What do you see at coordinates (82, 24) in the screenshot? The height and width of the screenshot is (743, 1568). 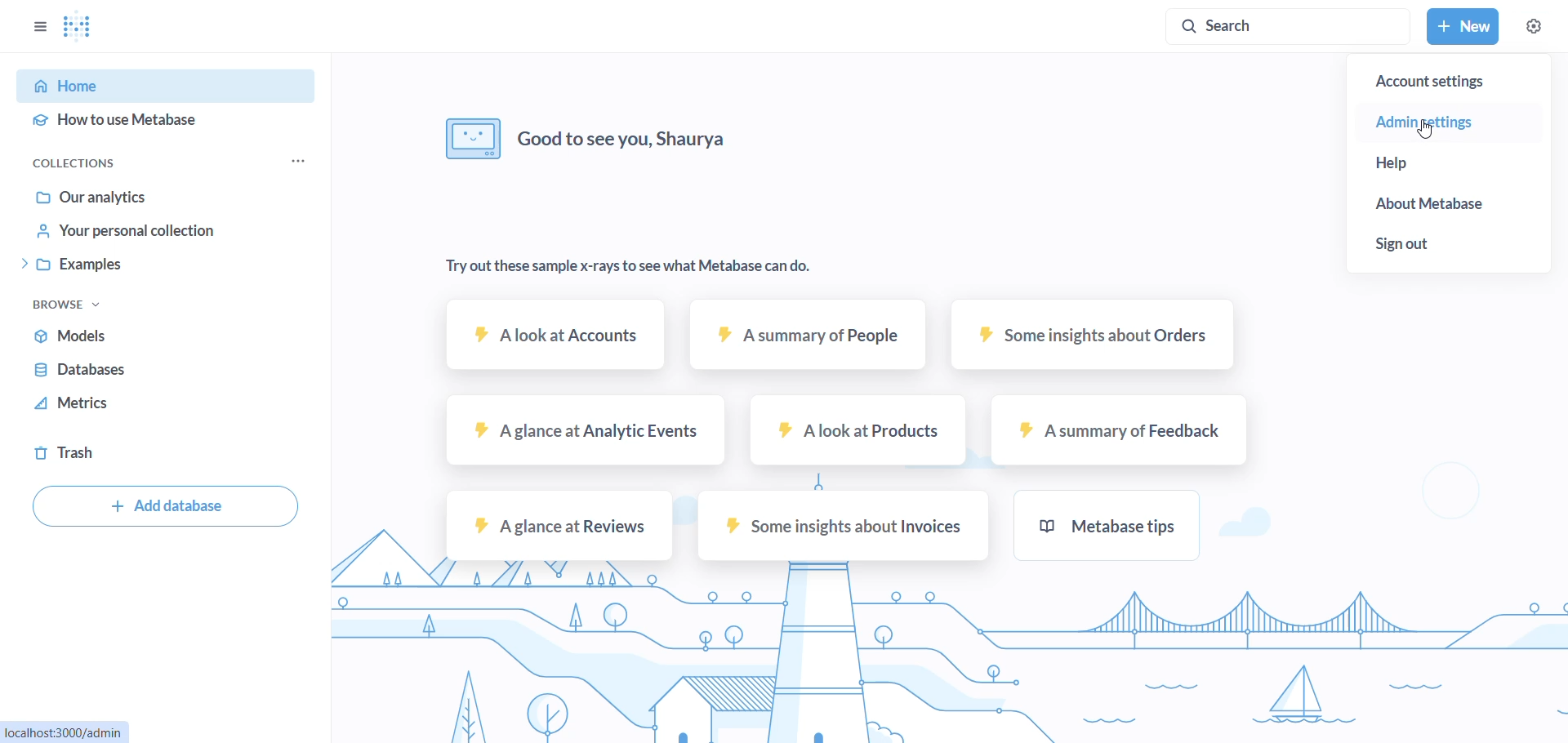 I see `LOGO` at bounding box center [82, 24].